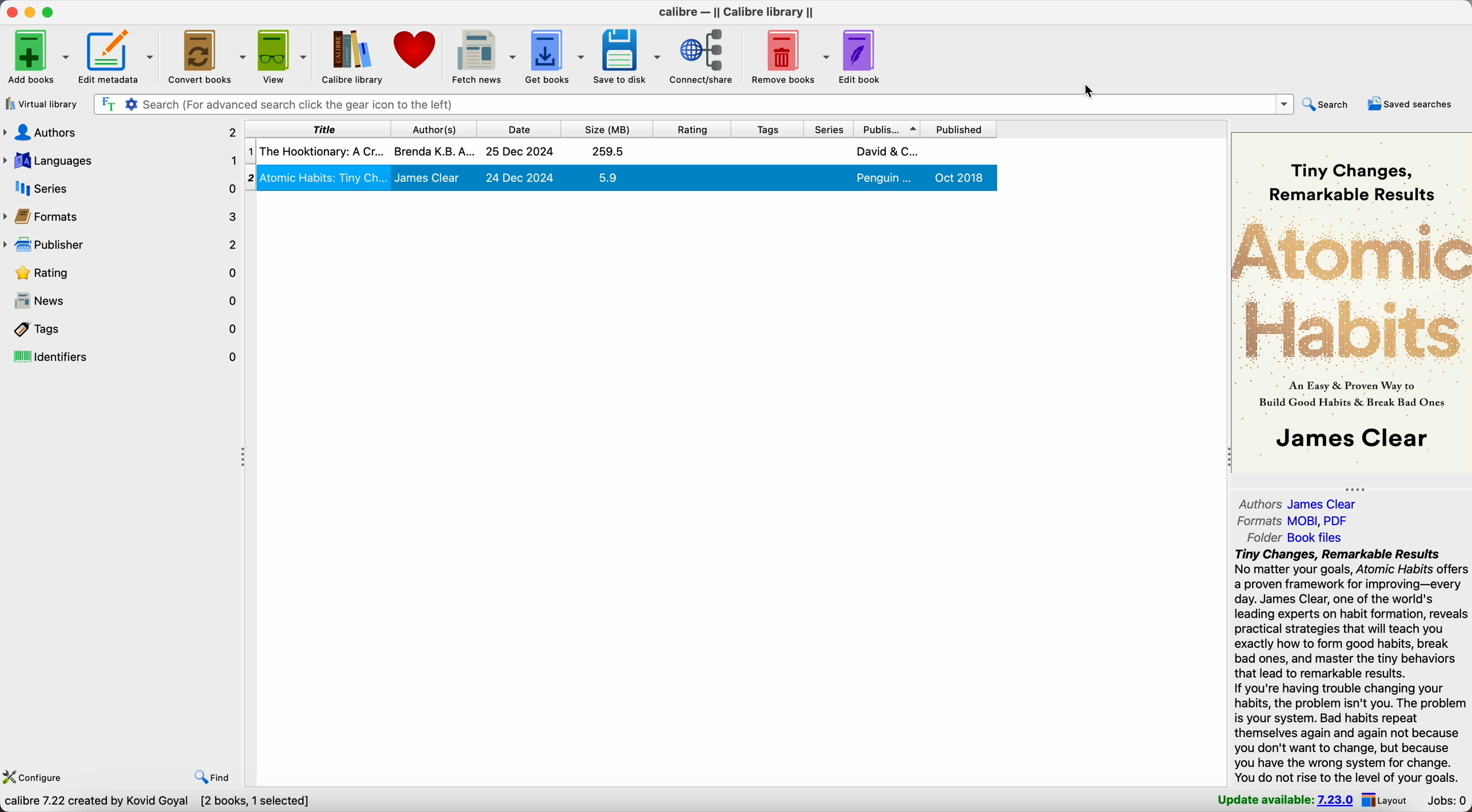  I want to click on donate, so click(416, 49).